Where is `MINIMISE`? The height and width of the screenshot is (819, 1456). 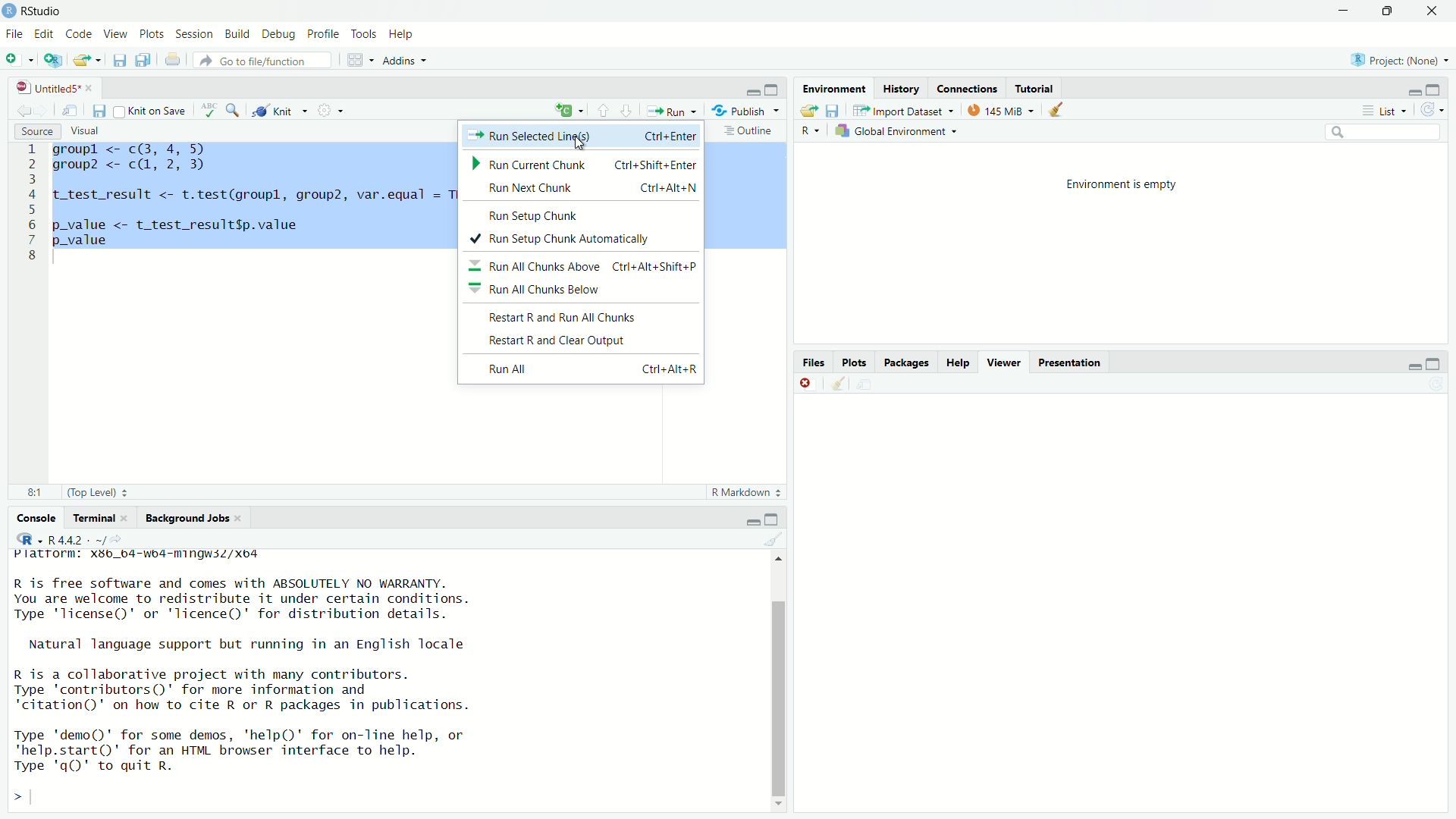 MINIMISE is located at coordinates (1341, 13).